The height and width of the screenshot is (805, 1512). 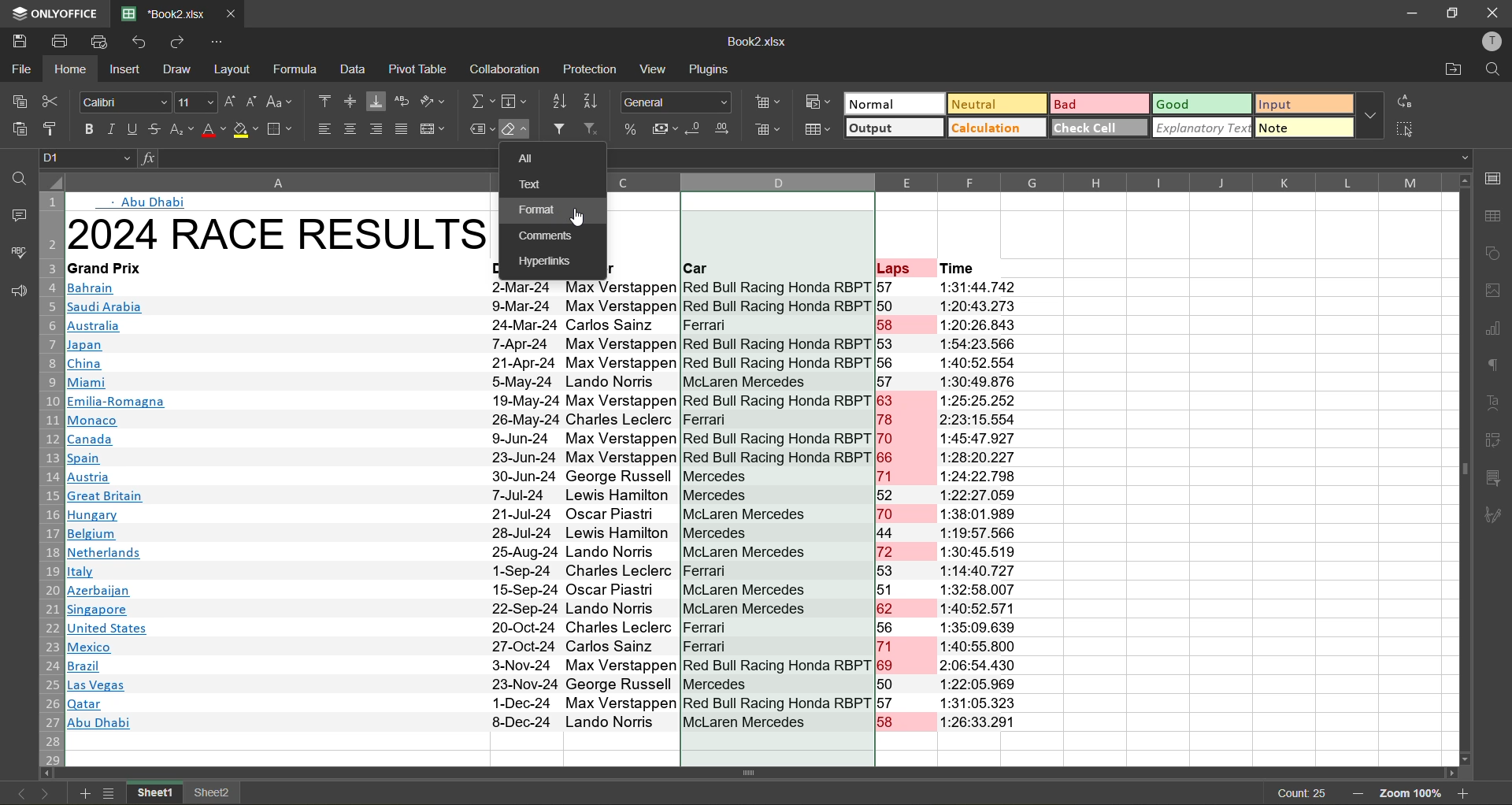 I want to click on |Ssaudi Arabia 9-Mar-24 Max Verstappen Red Bull Racing Honda RBPT 50 1:20:43.273, so click(x=542, y=306).